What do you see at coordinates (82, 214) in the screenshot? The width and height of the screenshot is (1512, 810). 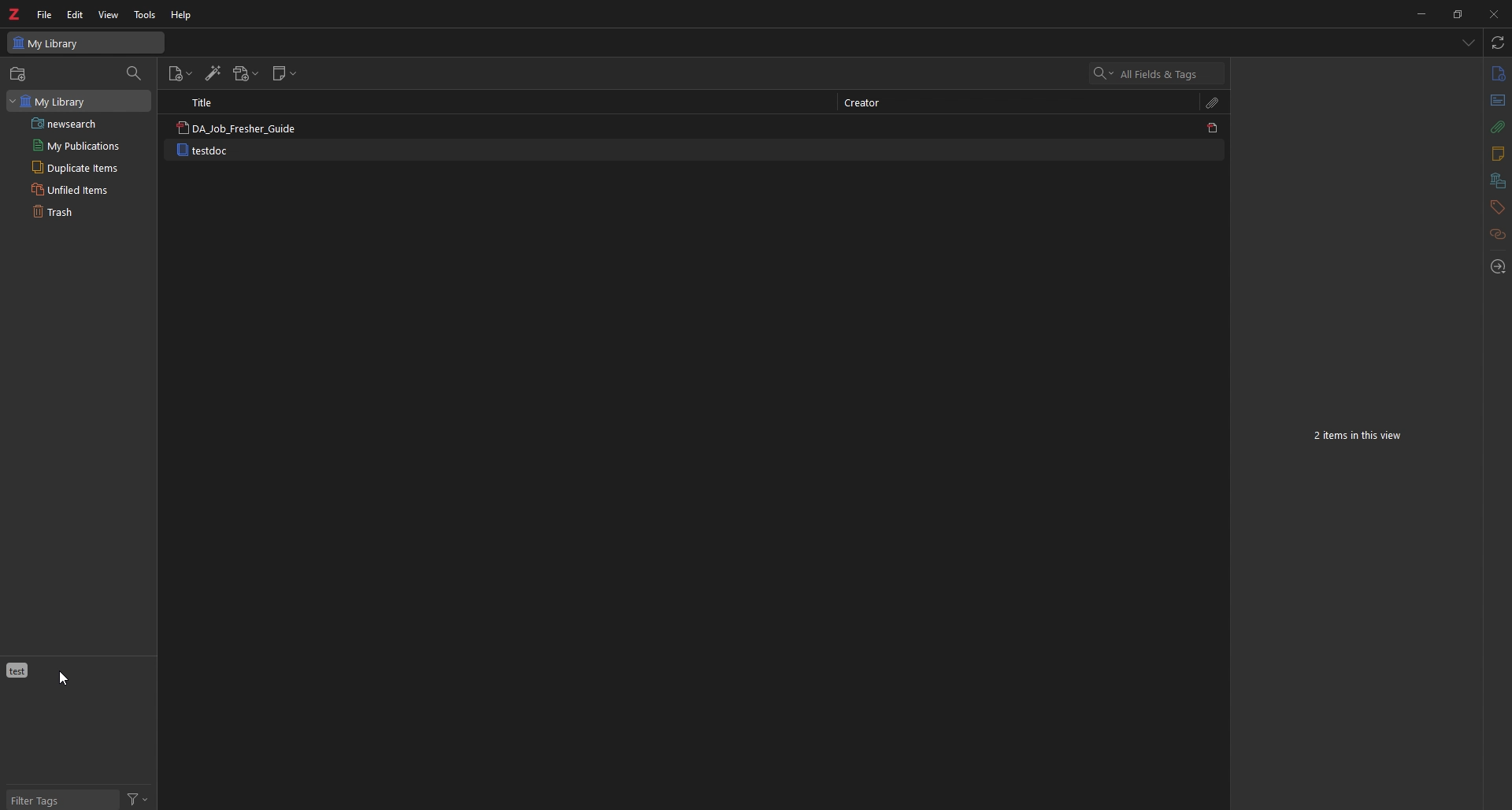 I see `trash` at bounding box center [82, 214].